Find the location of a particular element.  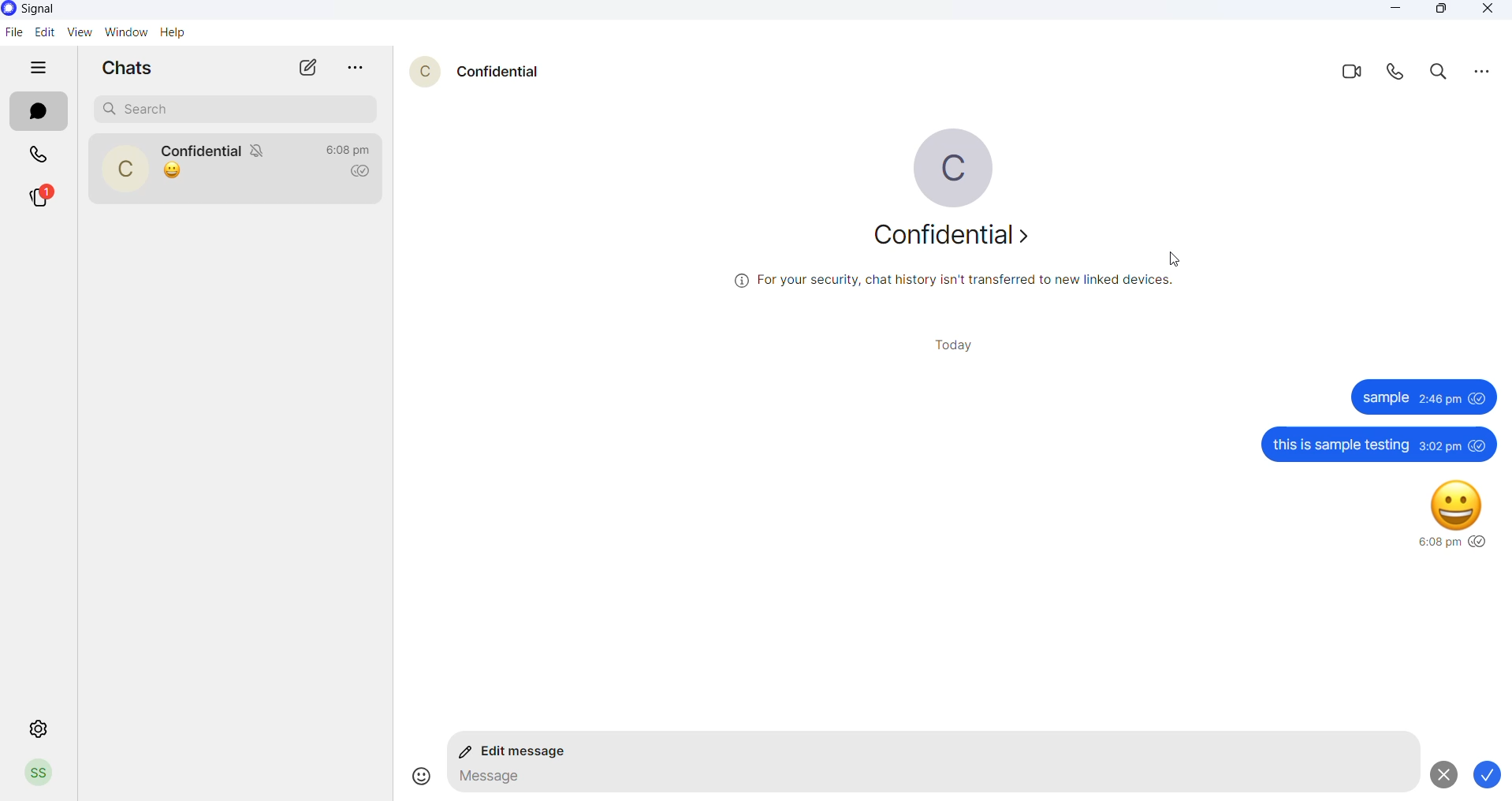

close is located at coordinates (1483, 10).